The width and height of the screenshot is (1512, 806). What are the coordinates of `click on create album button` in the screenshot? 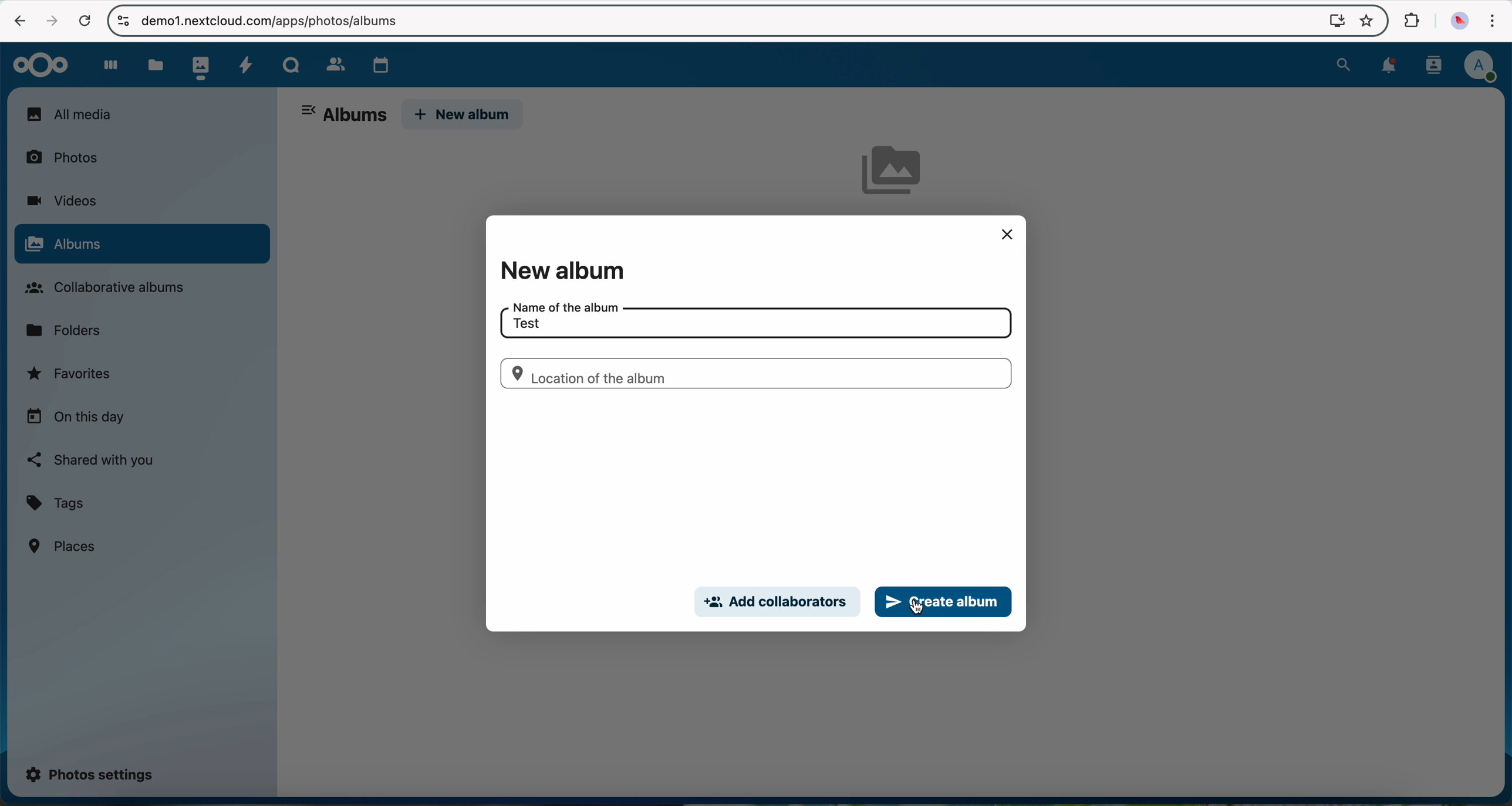 It's located at (943, 602).